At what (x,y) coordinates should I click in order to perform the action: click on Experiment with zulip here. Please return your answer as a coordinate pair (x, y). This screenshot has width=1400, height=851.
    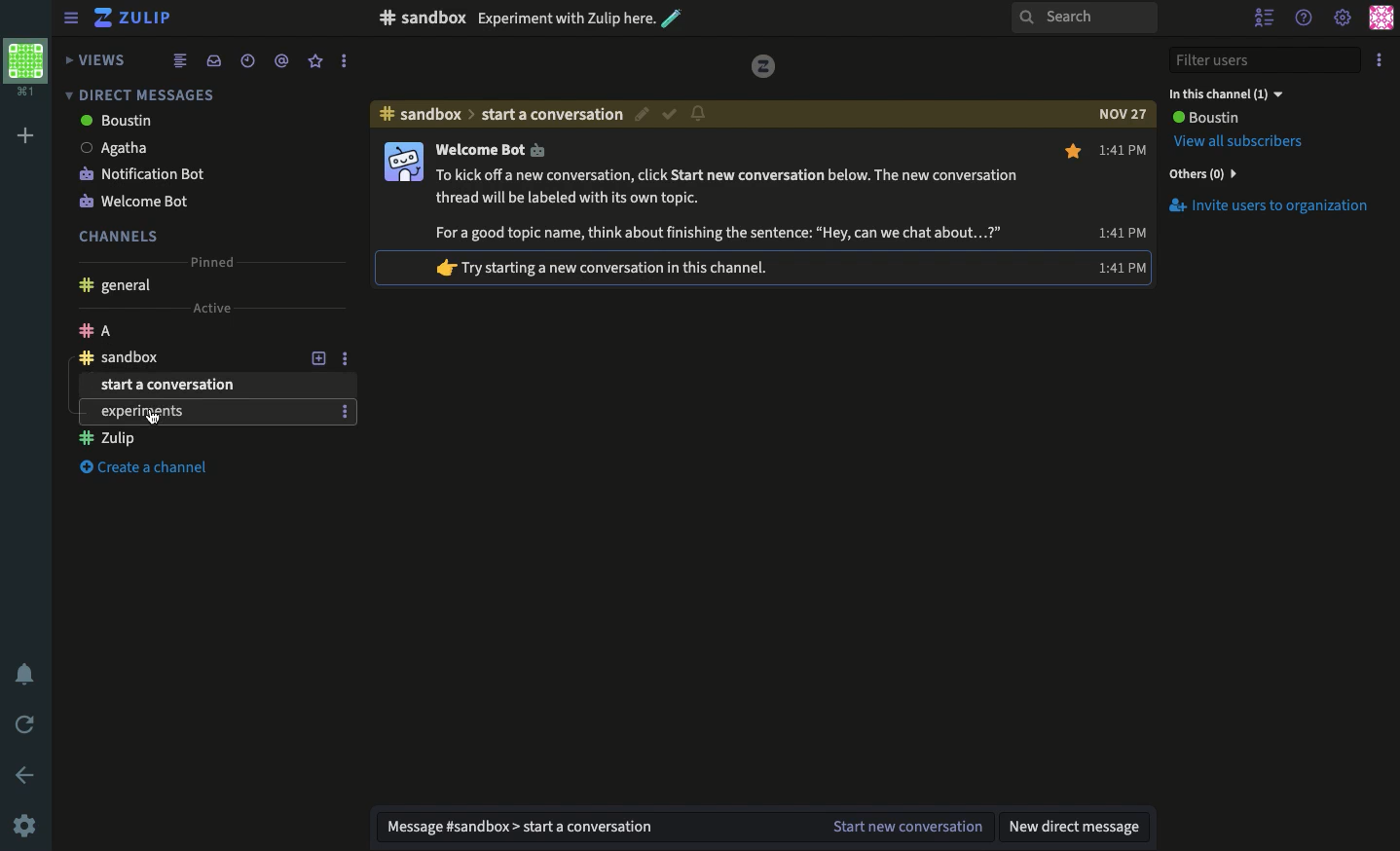
    Looking at the image, I should click on (580, 18).